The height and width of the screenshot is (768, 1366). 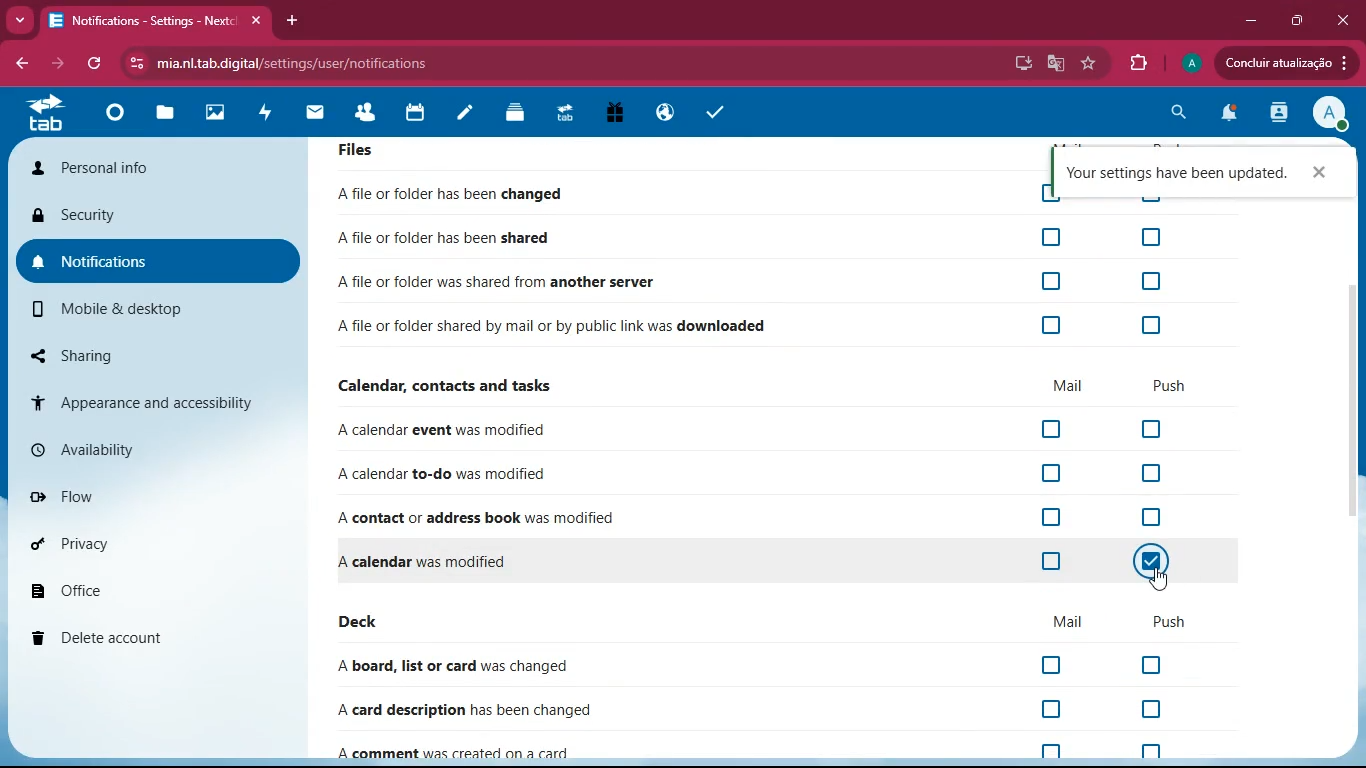 What do you see at coordinates (1152, 472) in the screenshot?
I see `off` at bounding box center [1152, 472].